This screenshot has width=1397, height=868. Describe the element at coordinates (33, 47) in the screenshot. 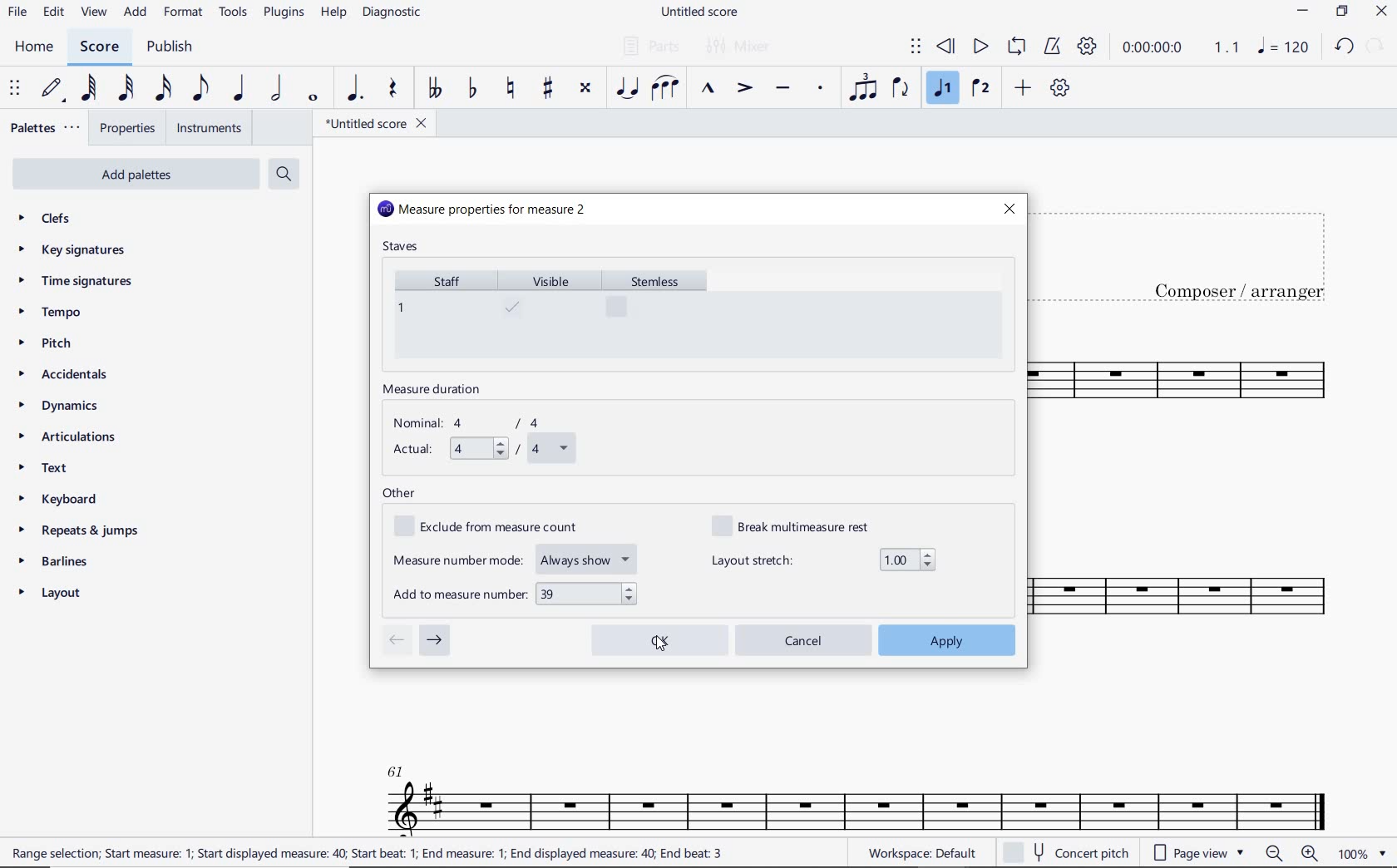

I see `HOME` at that location.